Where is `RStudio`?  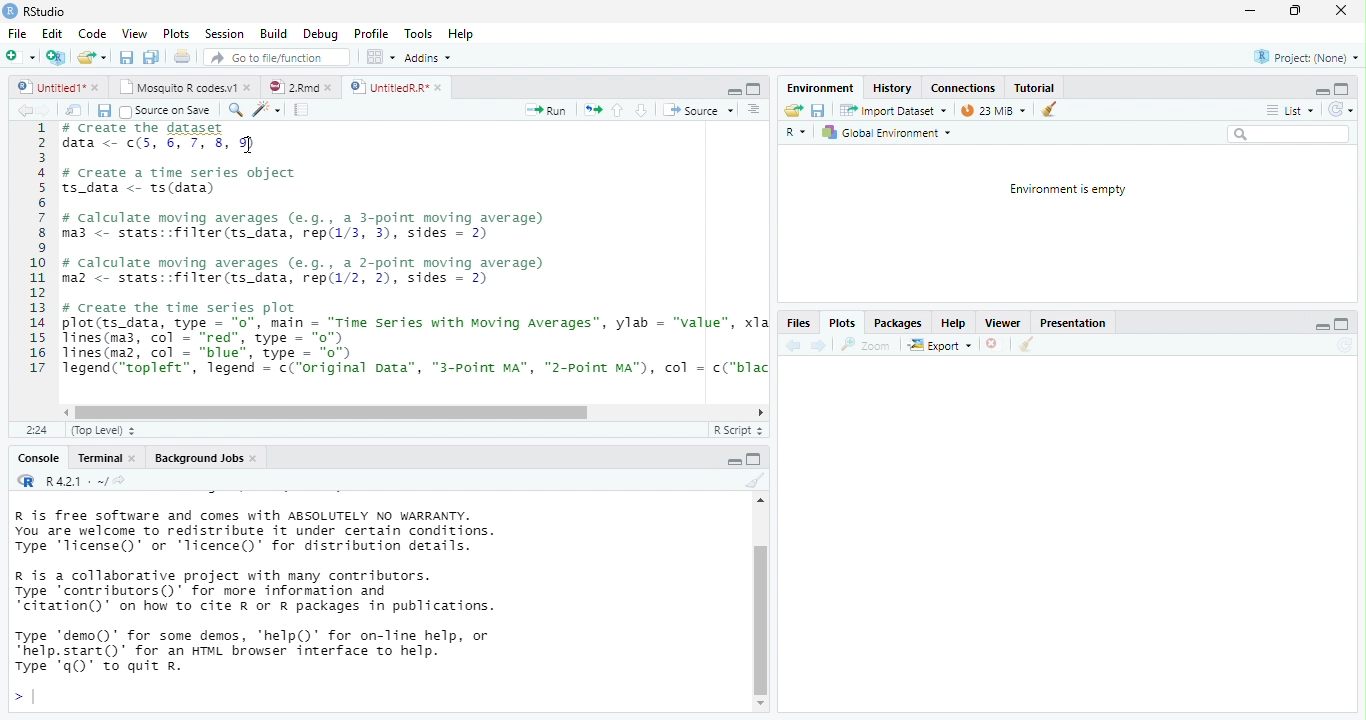 RStudio is located at coordinates (36, 10).